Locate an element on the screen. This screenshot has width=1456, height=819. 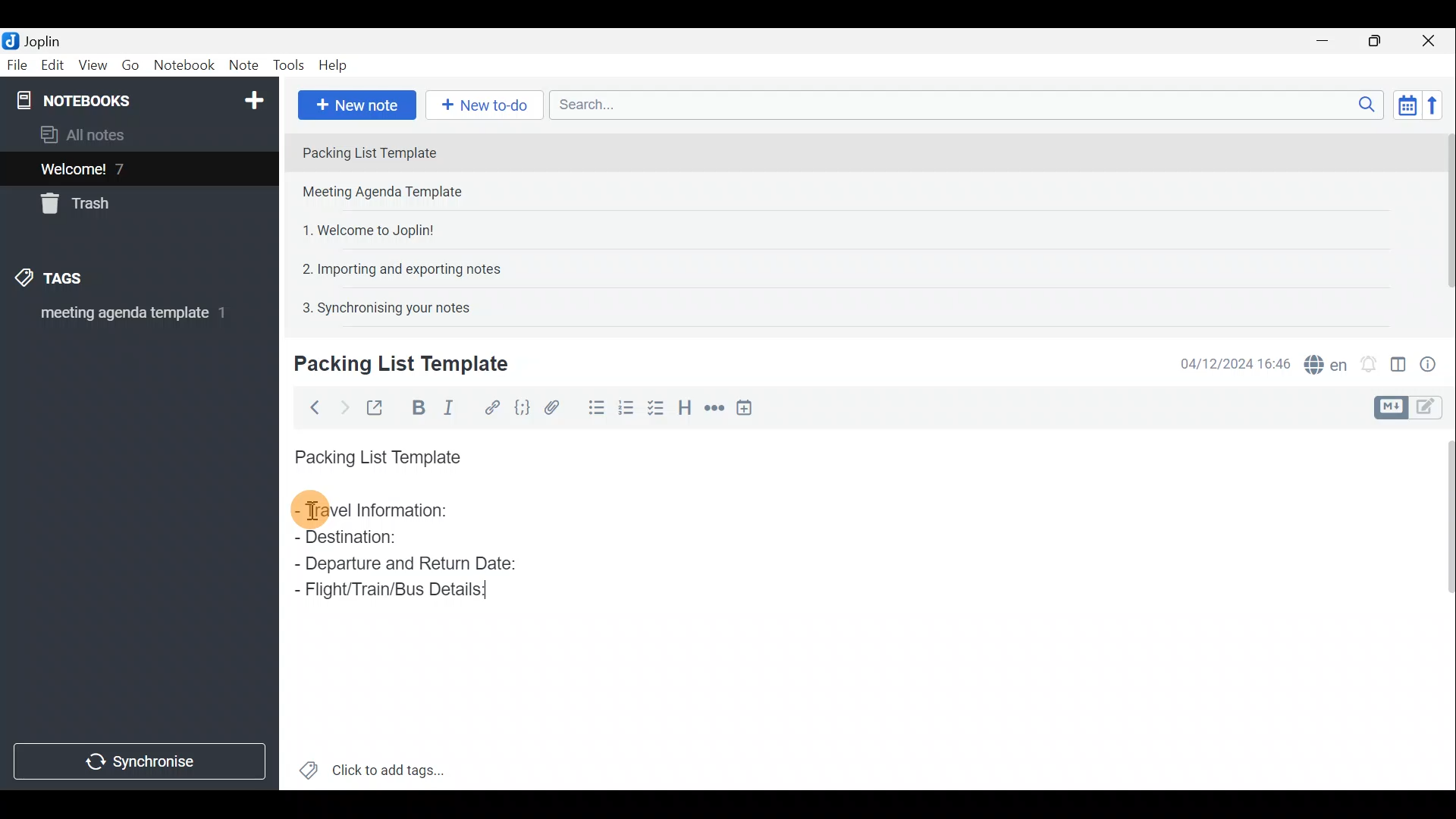
New note is located at coordinates (356, 103).